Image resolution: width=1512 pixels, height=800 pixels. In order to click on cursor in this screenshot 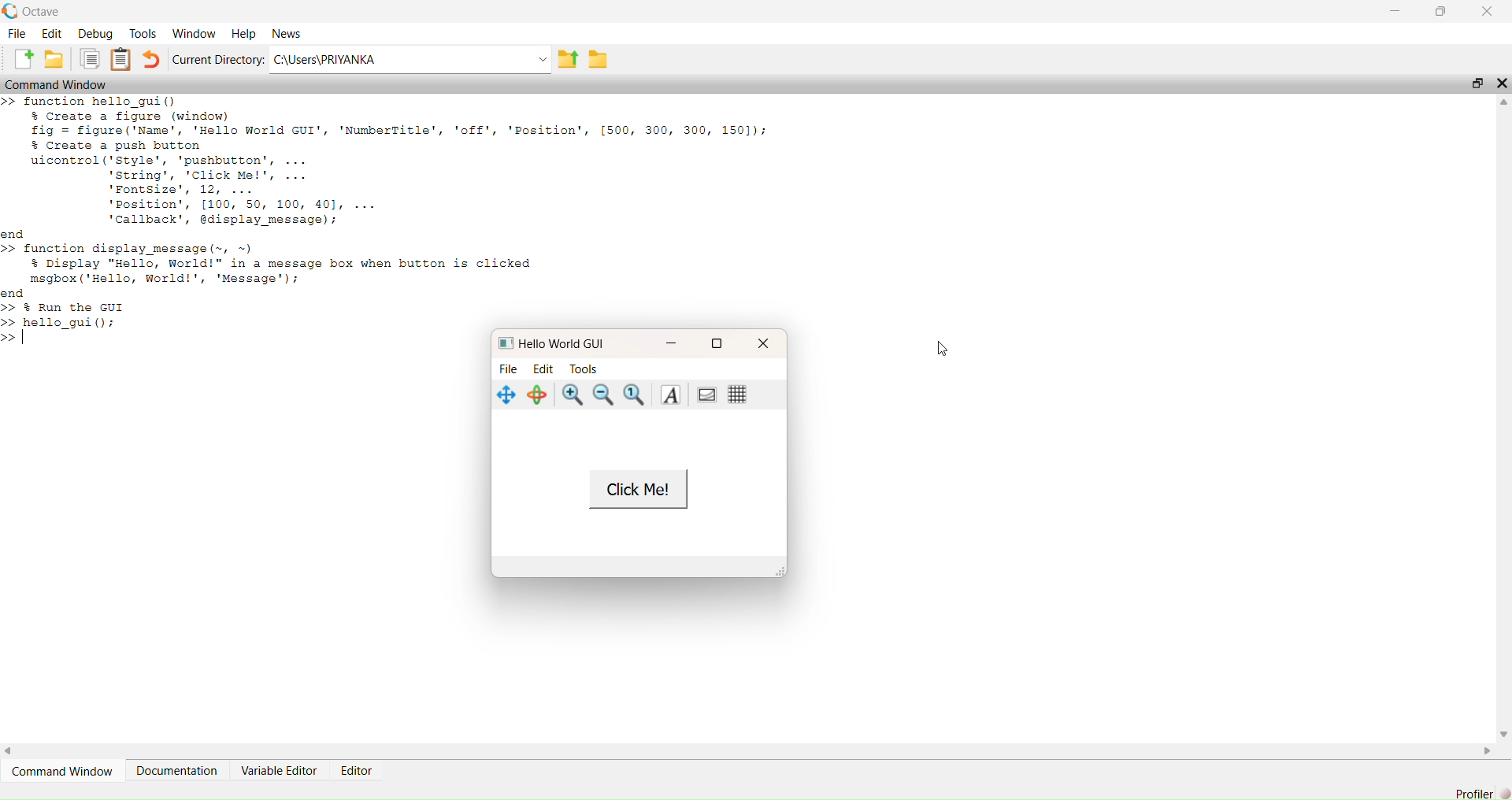, I will do `click(944, 350)`.